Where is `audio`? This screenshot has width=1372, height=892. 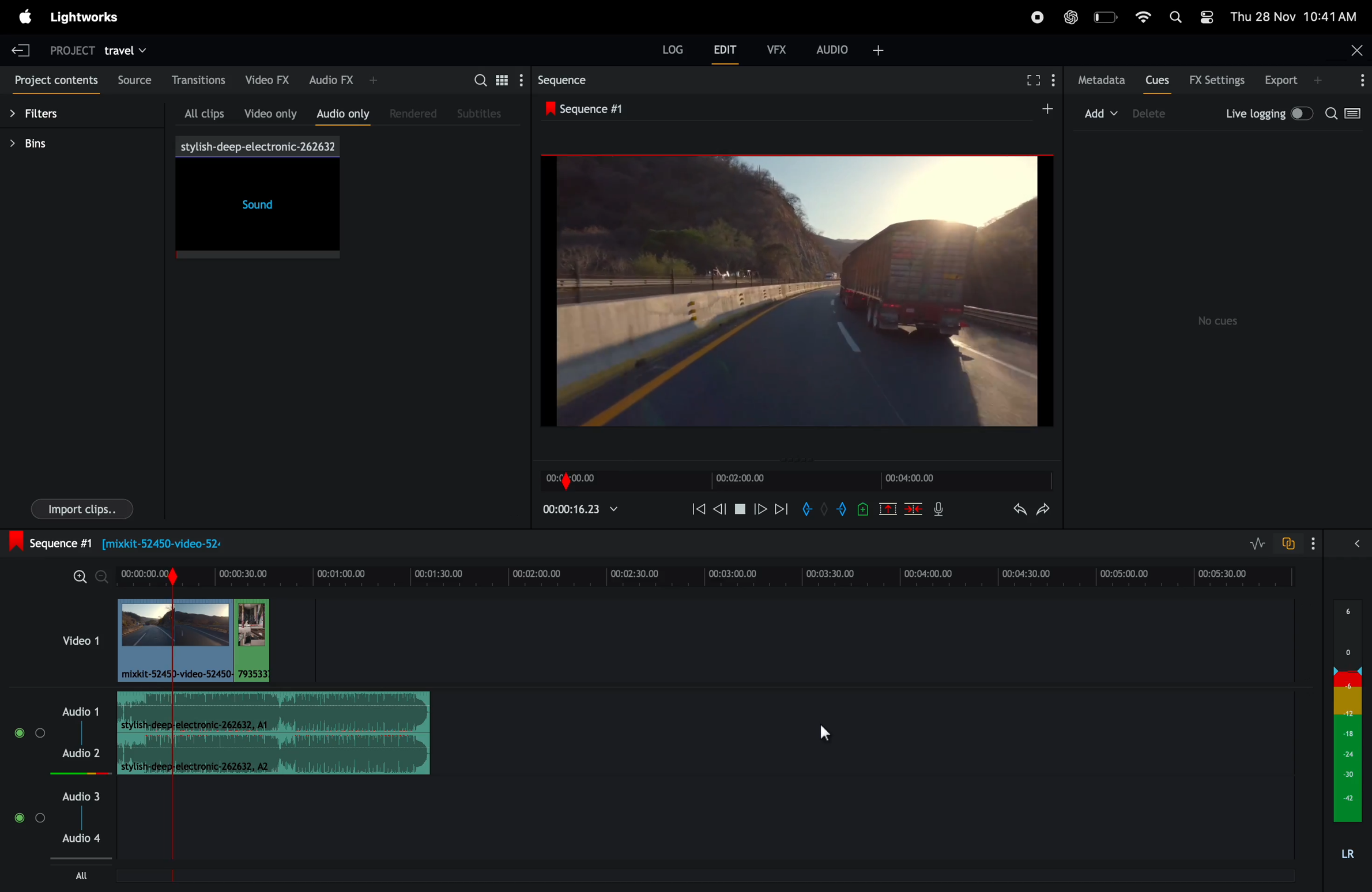
audio is located at coordinates (850, 49).